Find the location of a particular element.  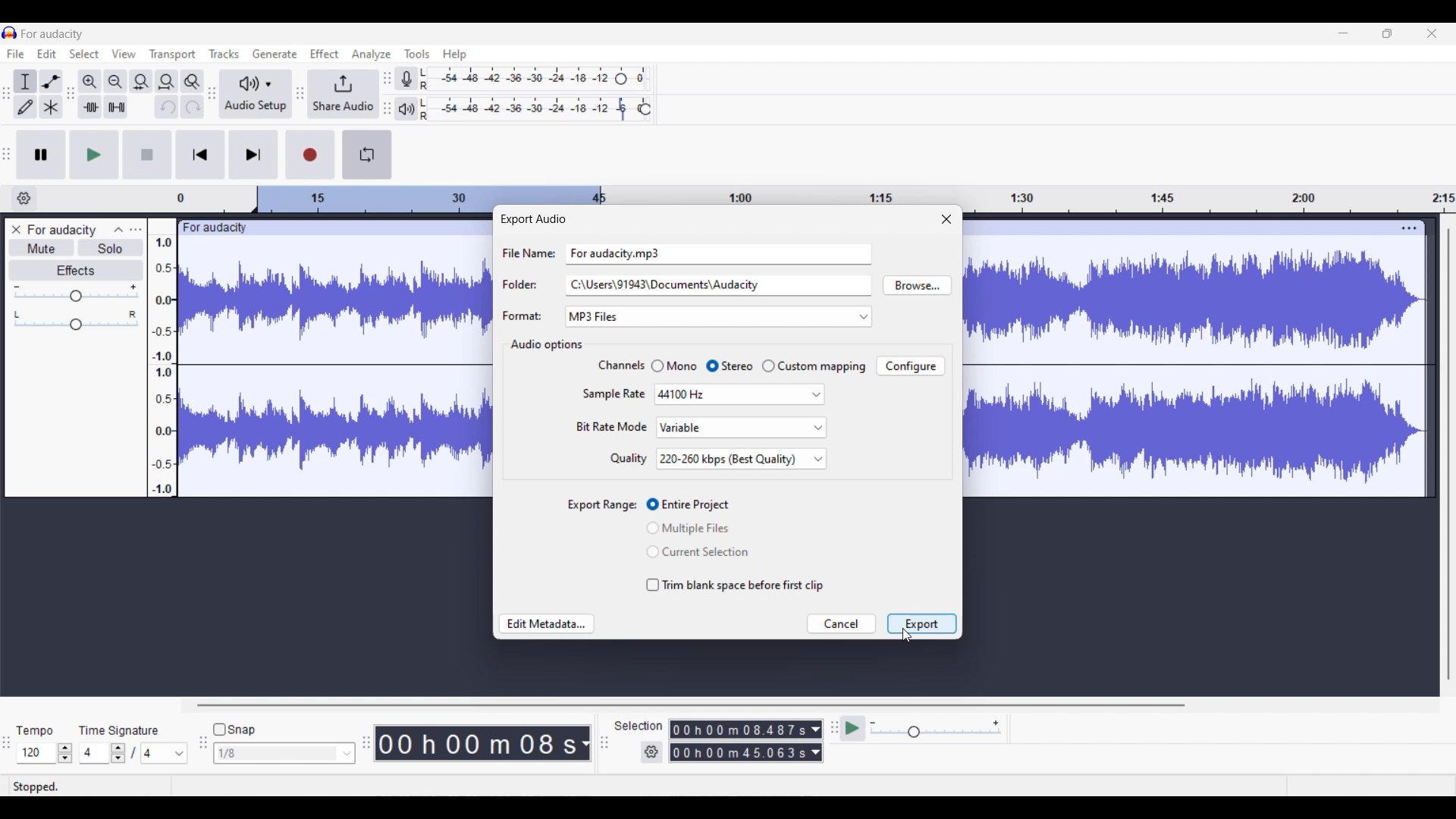

Snap options is located at coordinates (284, 753).